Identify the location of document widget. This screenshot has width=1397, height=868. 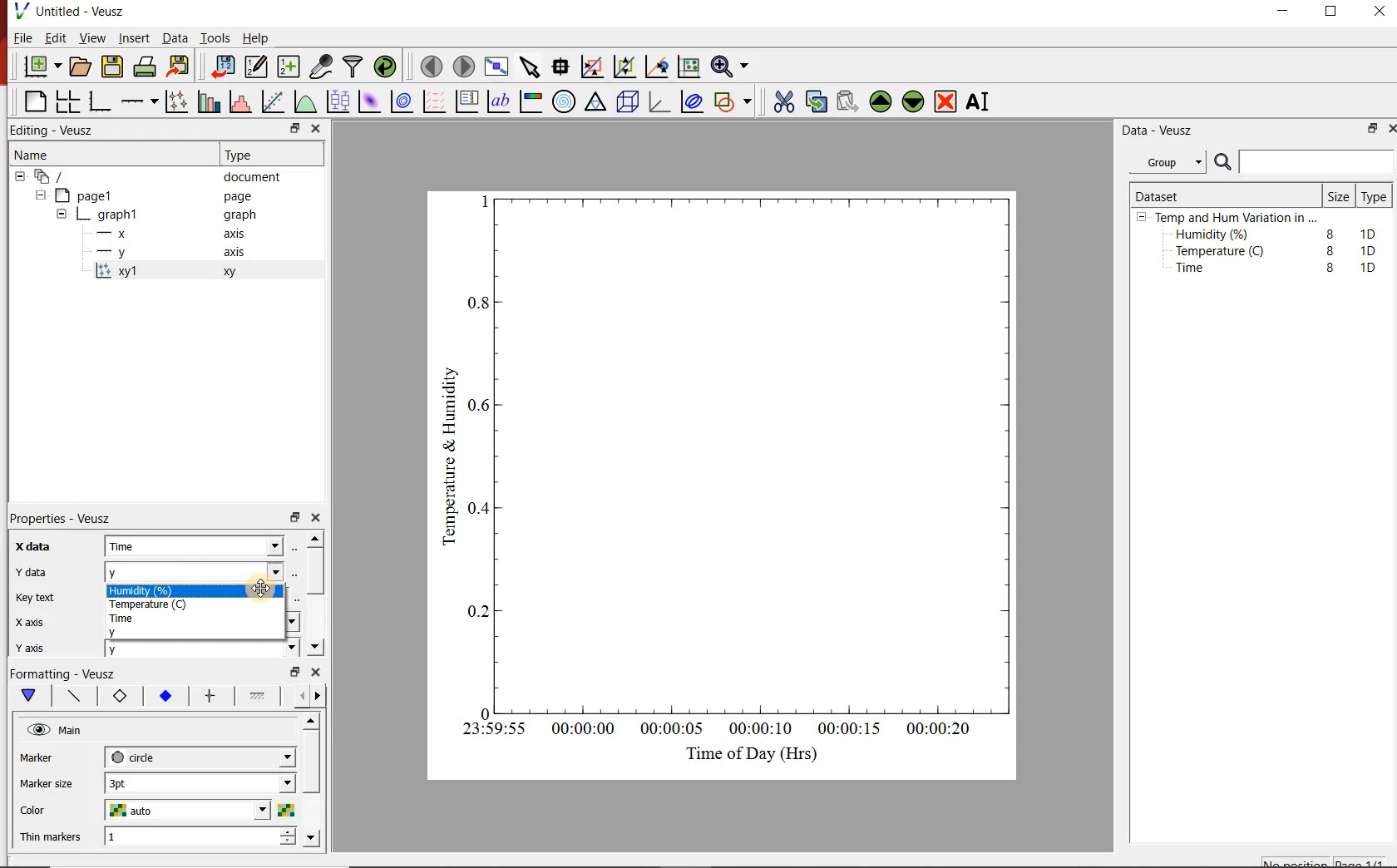
(59, 177).